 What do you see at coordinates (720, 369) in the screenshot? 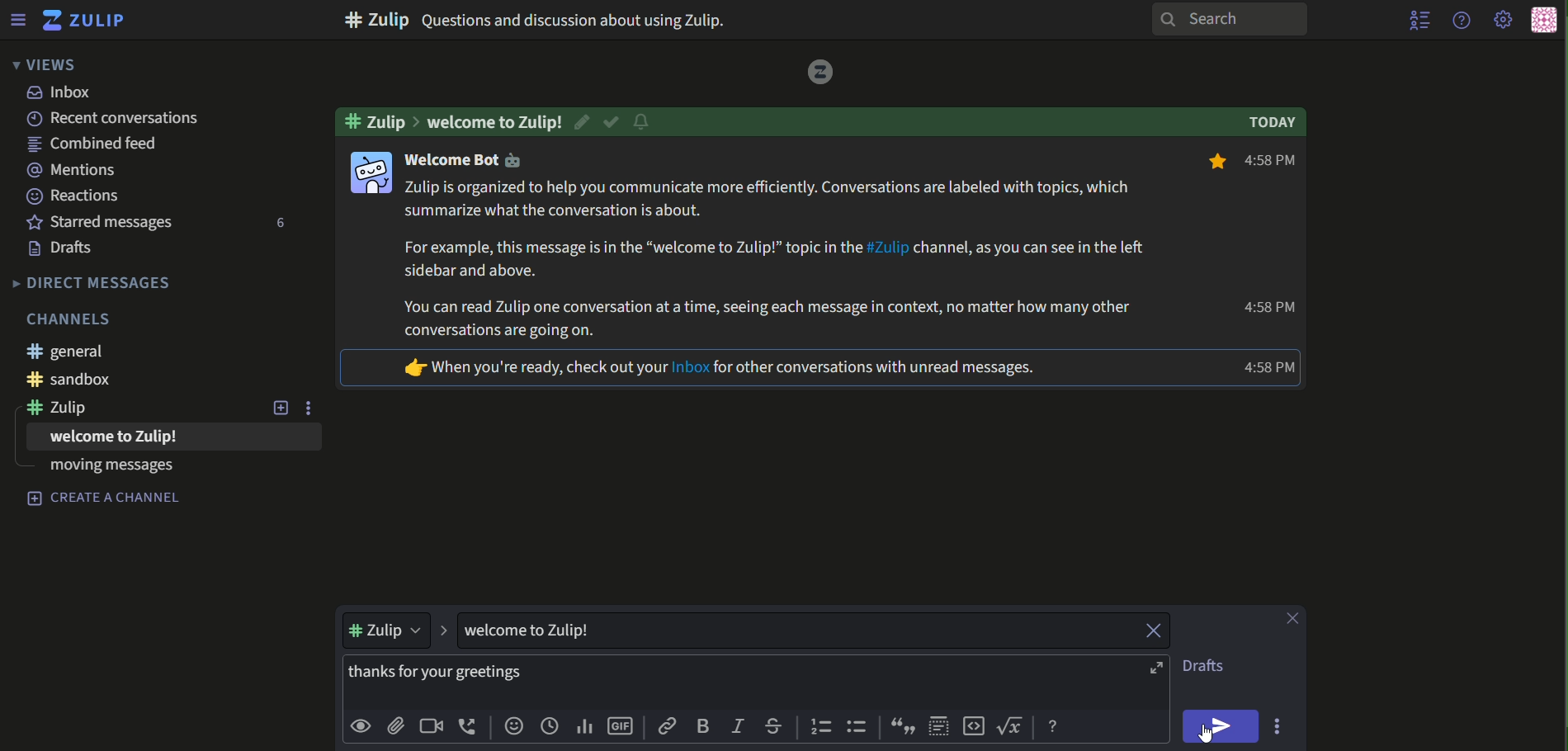
I see `text` at bounding box center [720, 369].